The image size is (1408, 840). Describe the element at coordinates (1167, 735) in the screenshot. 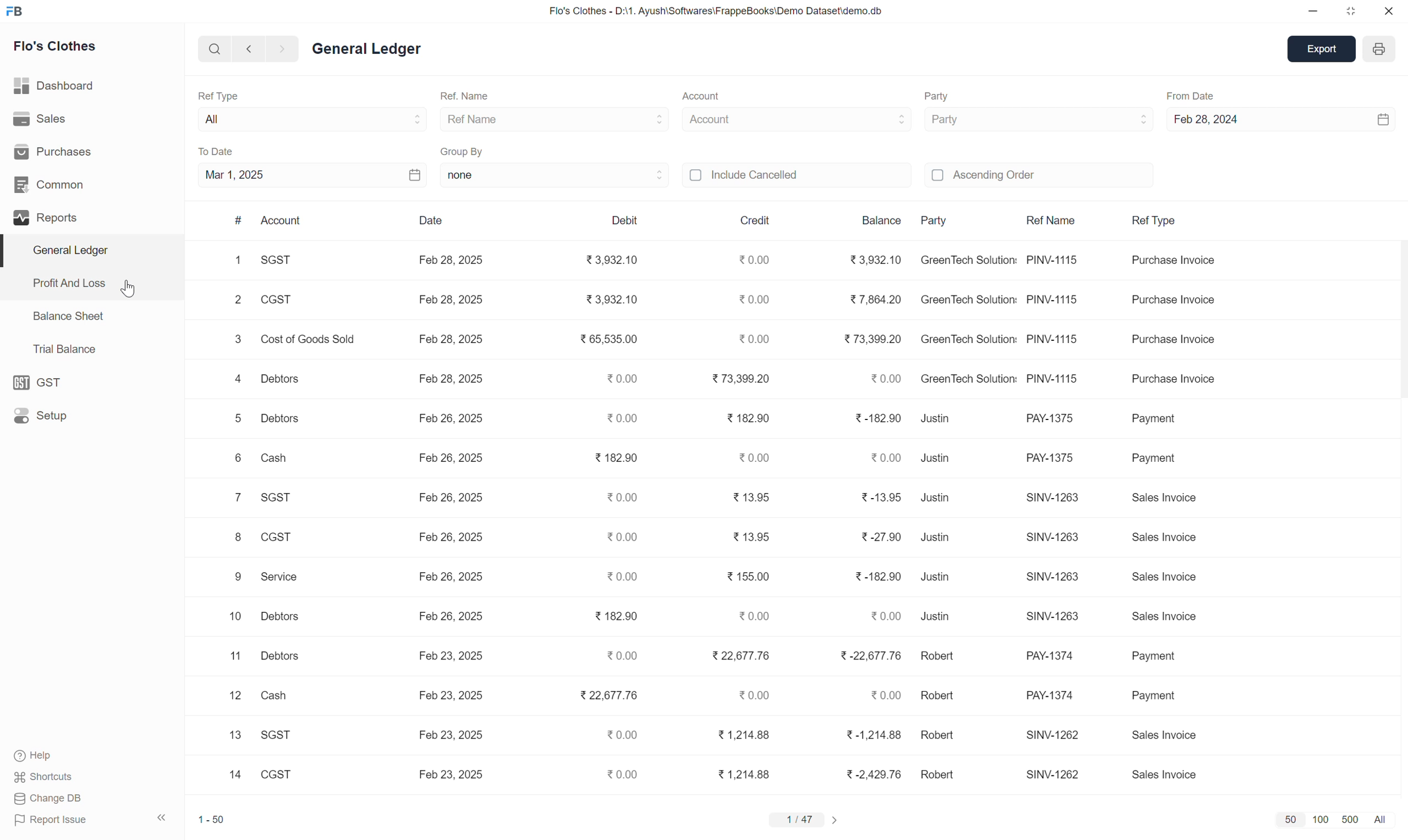

I see `Sales Invoice` at that location.